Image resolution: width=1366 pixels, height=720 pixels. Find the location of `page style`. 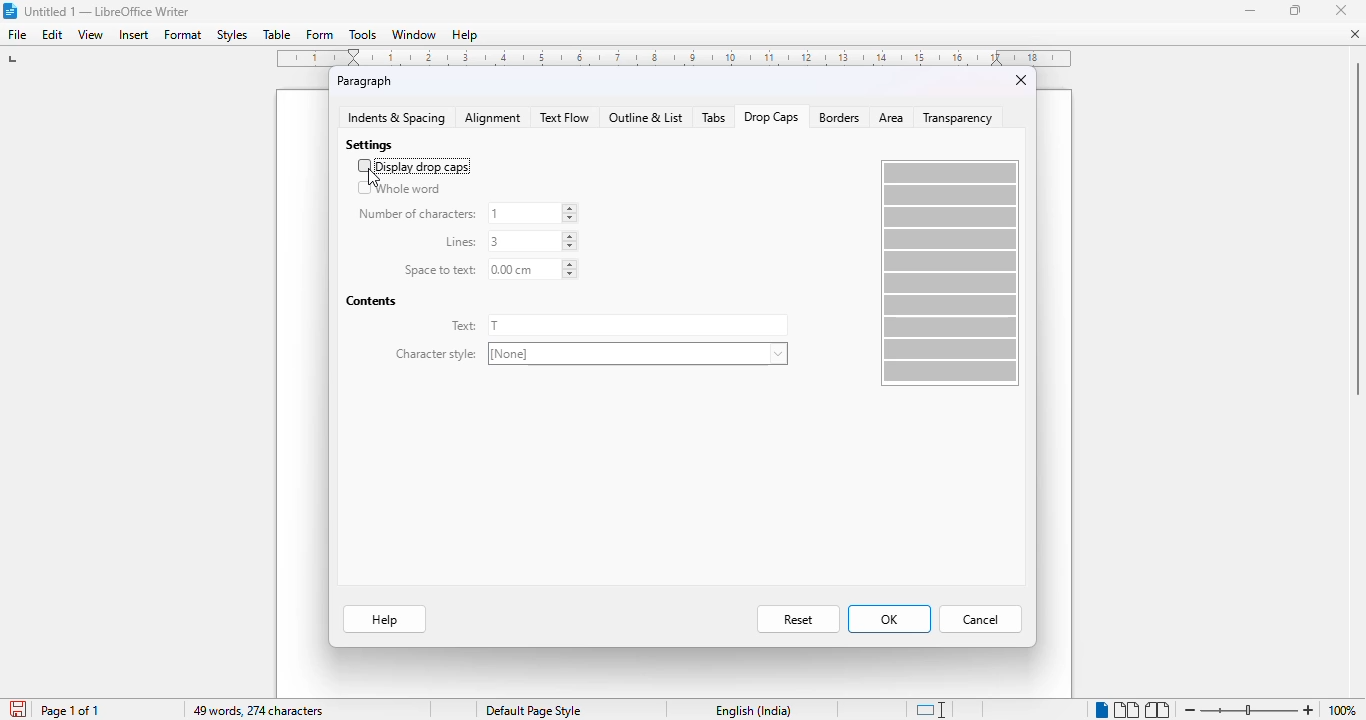

page style is located at coordinates (533, 710).